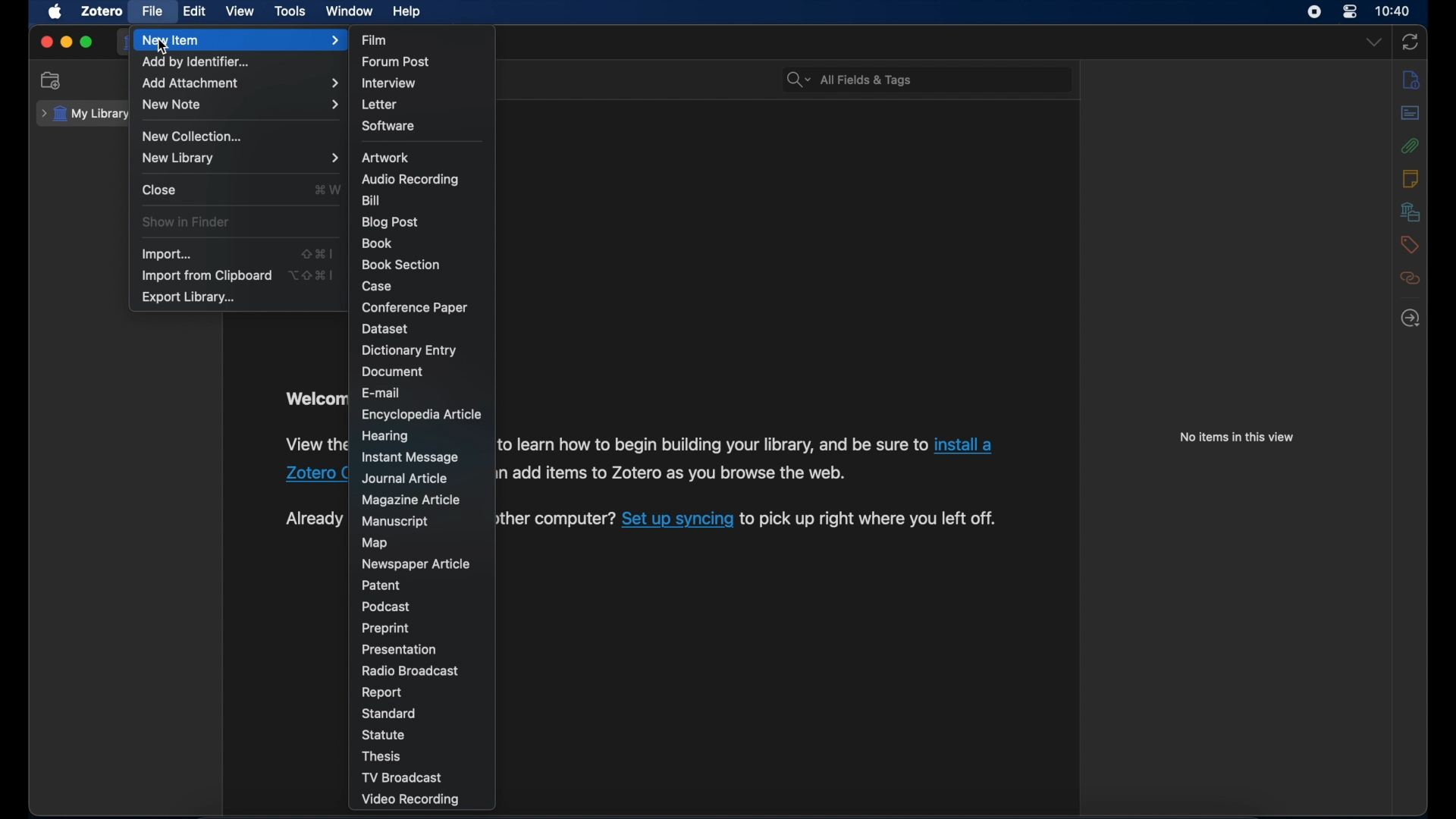  Describe the element at coordinates (401, 265) in the screenshot. I see `book section` at that location.